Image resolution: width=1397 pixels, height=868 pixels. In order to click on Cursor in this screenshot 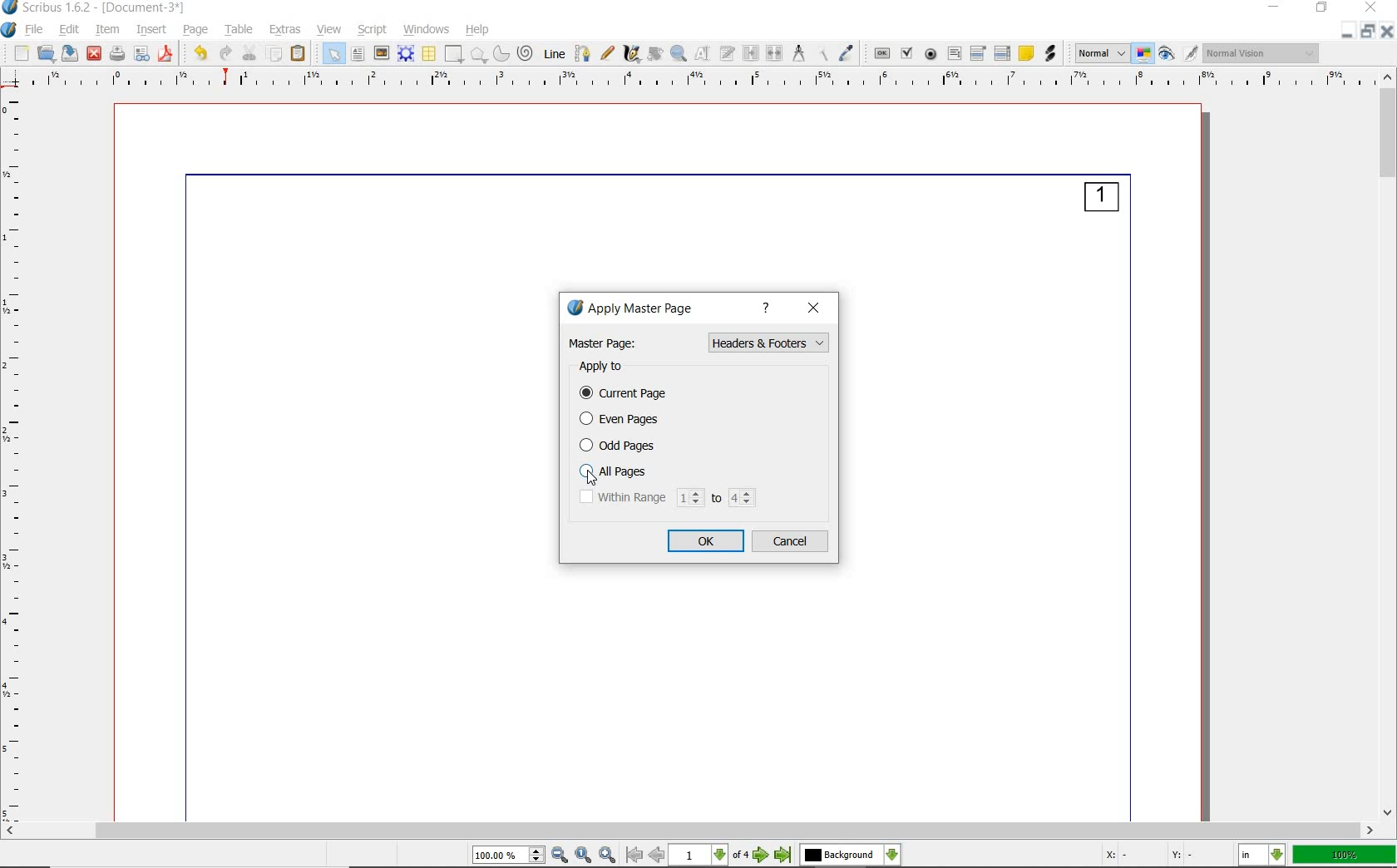, I will do `click(595, 479)`.